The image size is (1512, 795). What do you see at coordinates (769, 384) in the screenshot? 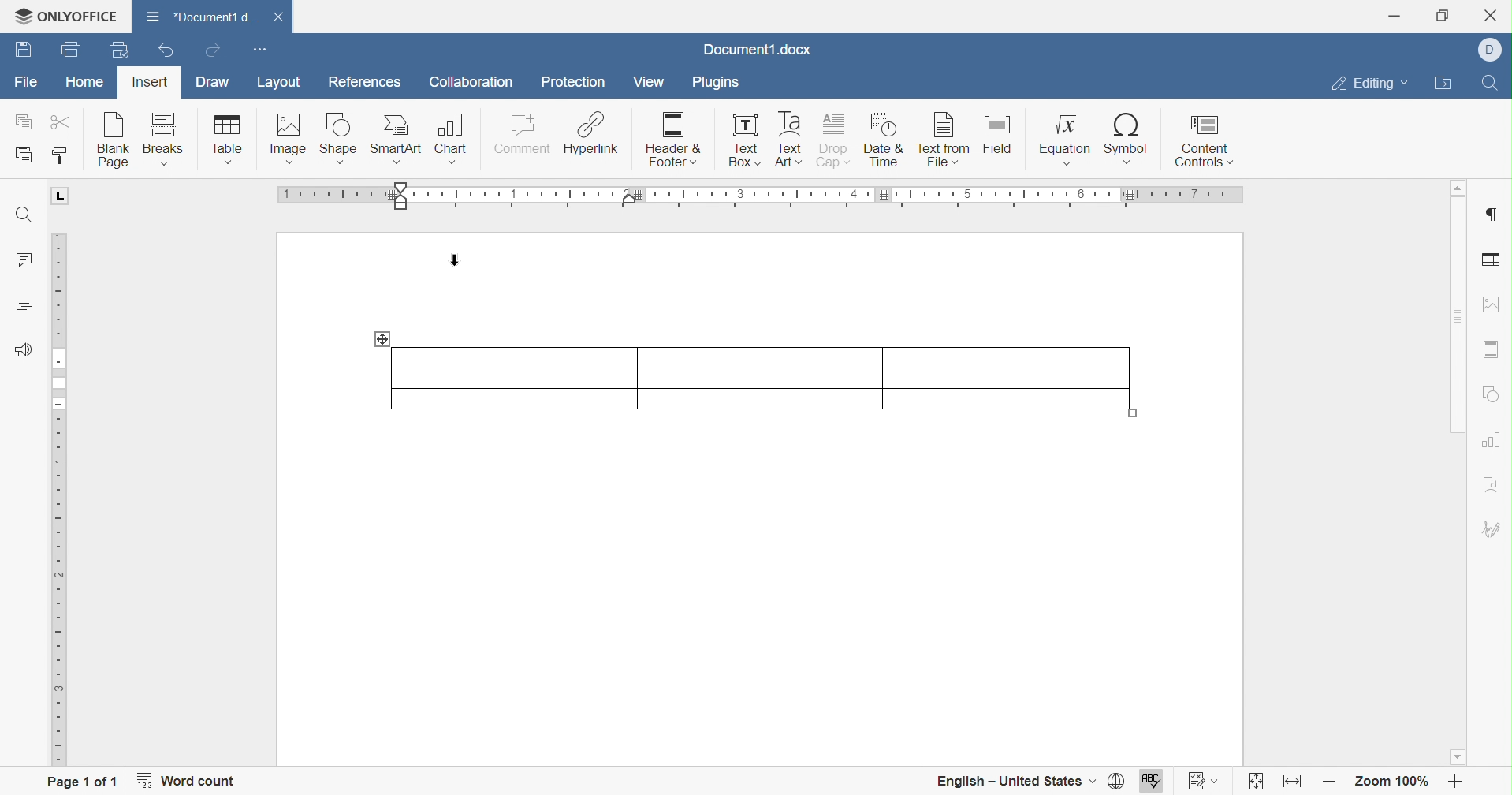
I see `3 × 3 table` at bounding box center [769, 384].